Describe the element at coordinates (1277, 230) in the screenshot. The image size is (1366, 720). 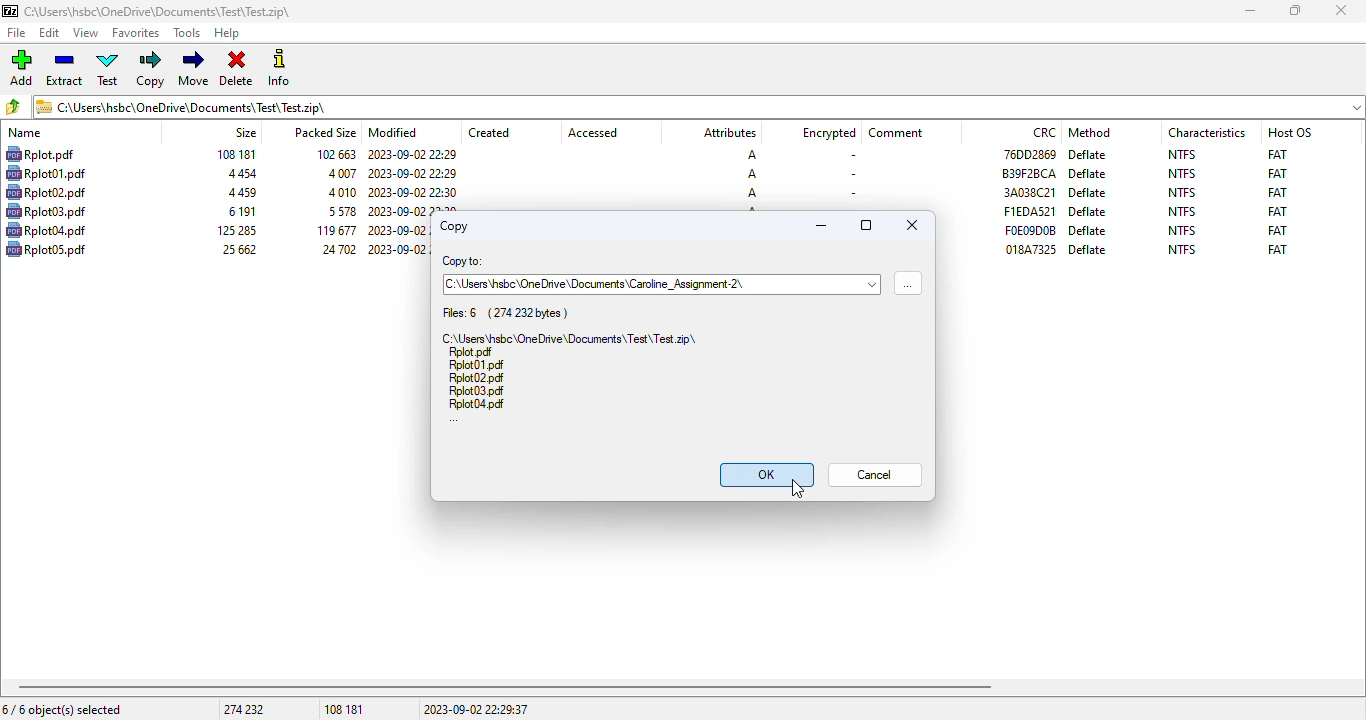
I see `FAT` at that location.